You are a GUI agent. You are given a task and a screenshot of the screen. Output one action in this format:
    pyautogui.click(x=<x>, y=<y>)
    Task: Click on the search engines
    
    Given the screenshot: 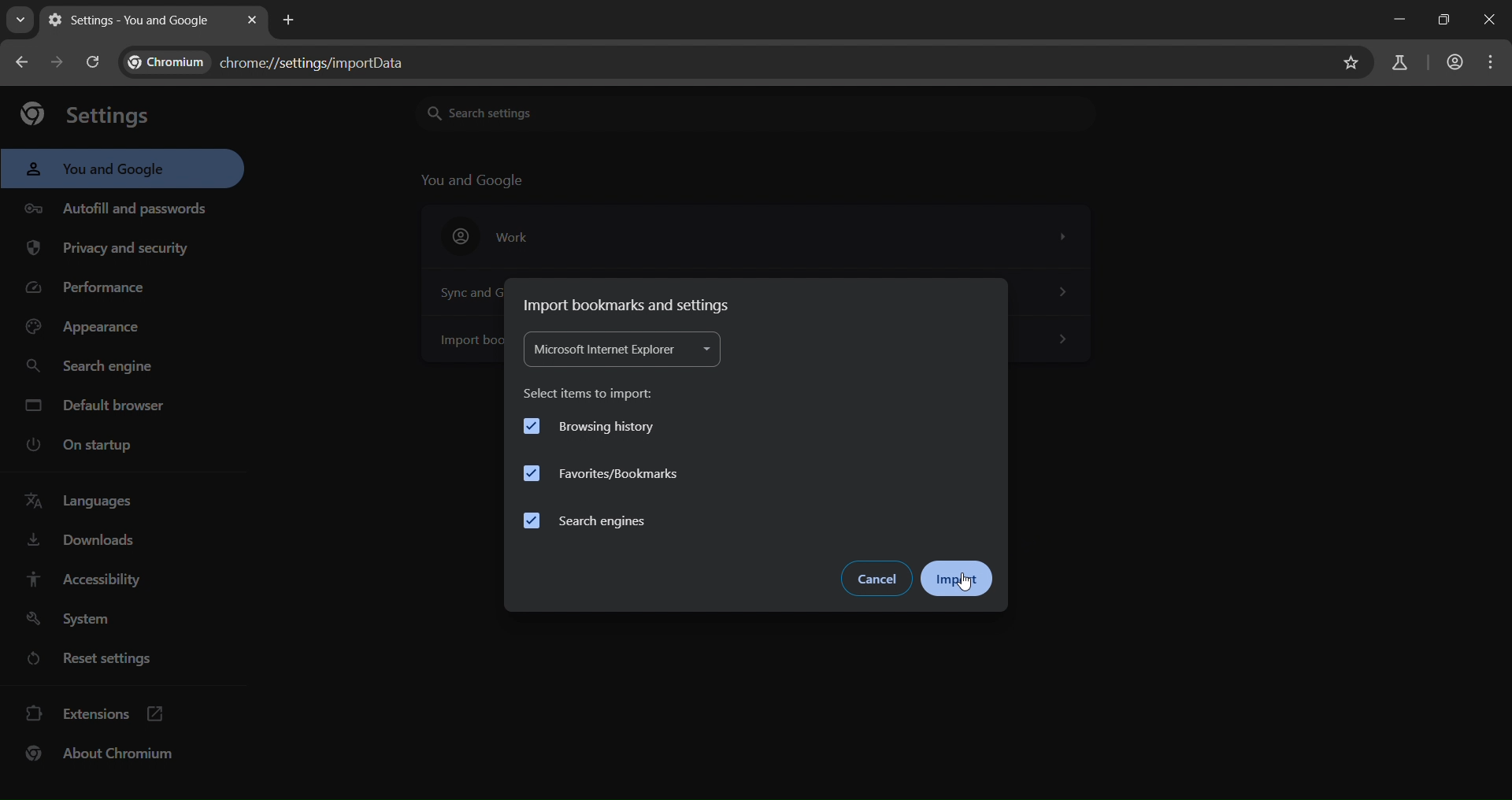 What is the action you would take?
    pyautogui.click(x=590, y=521)
    